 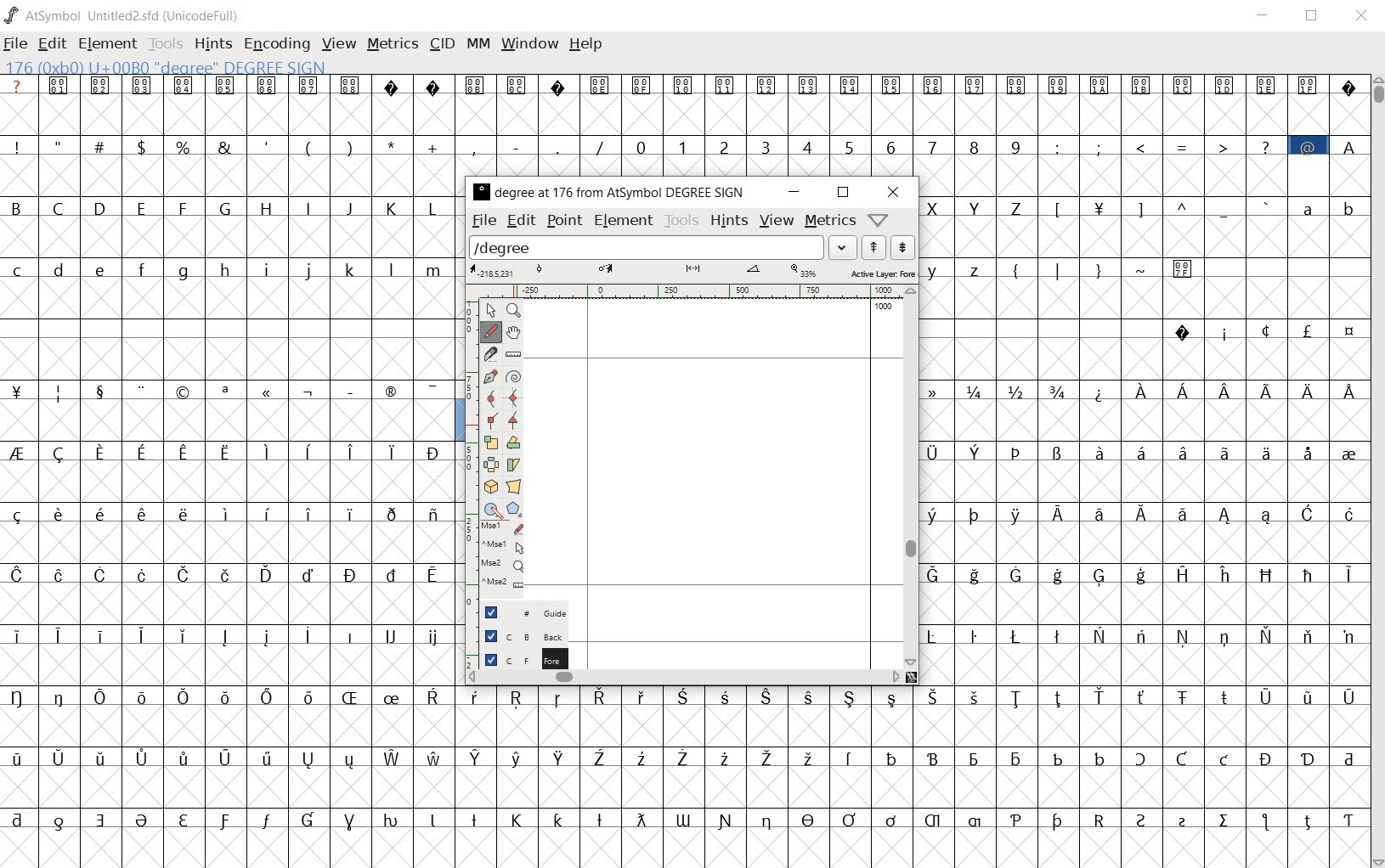 What do you see at coordinates (490, 422) in the screenshot?
I see `Add a corner point` at bounding box center [490, 422].